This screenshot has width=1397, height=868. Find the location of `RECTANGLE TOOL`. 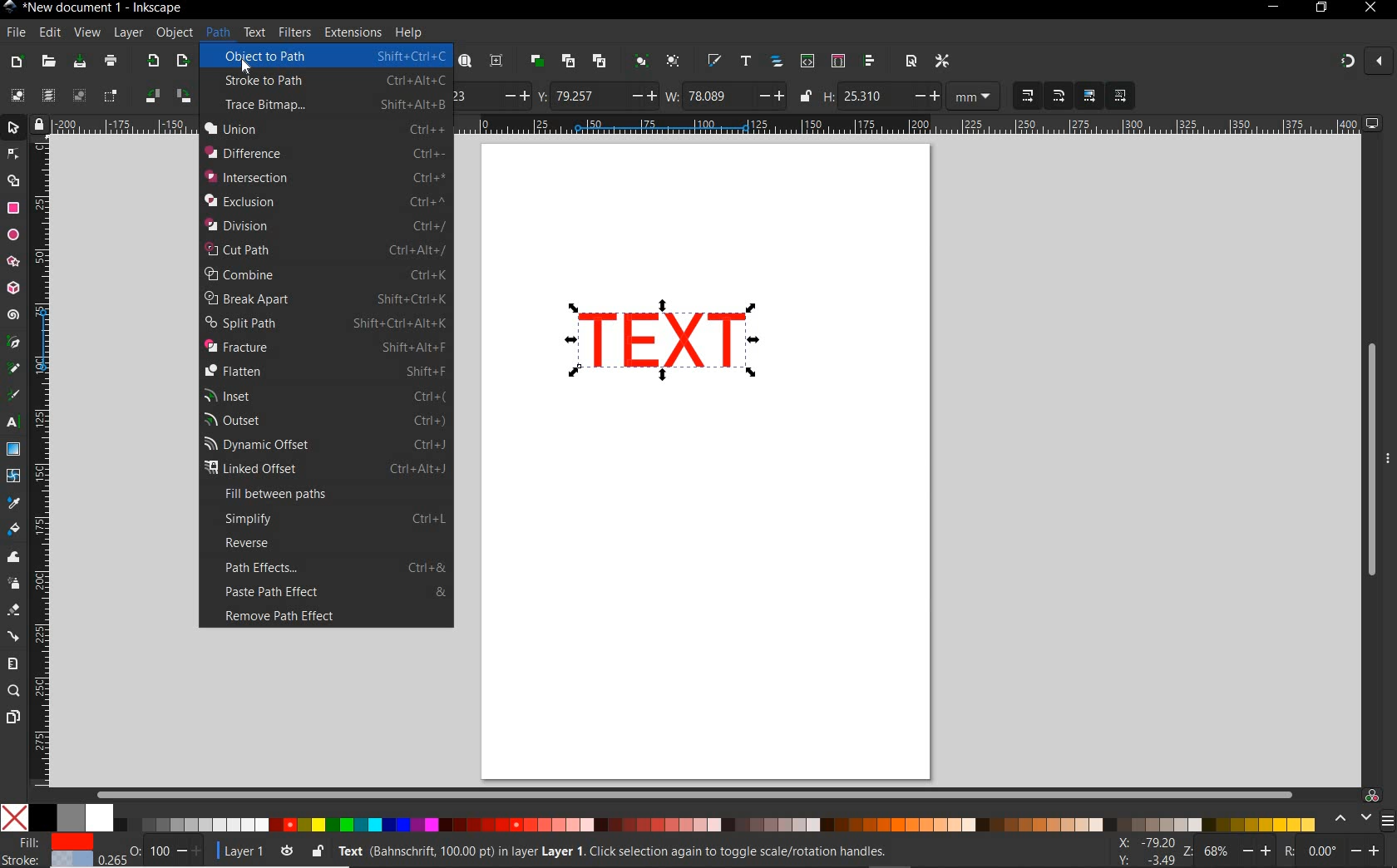

RECTANGLE TOOL is located at coordinates (14, 209).